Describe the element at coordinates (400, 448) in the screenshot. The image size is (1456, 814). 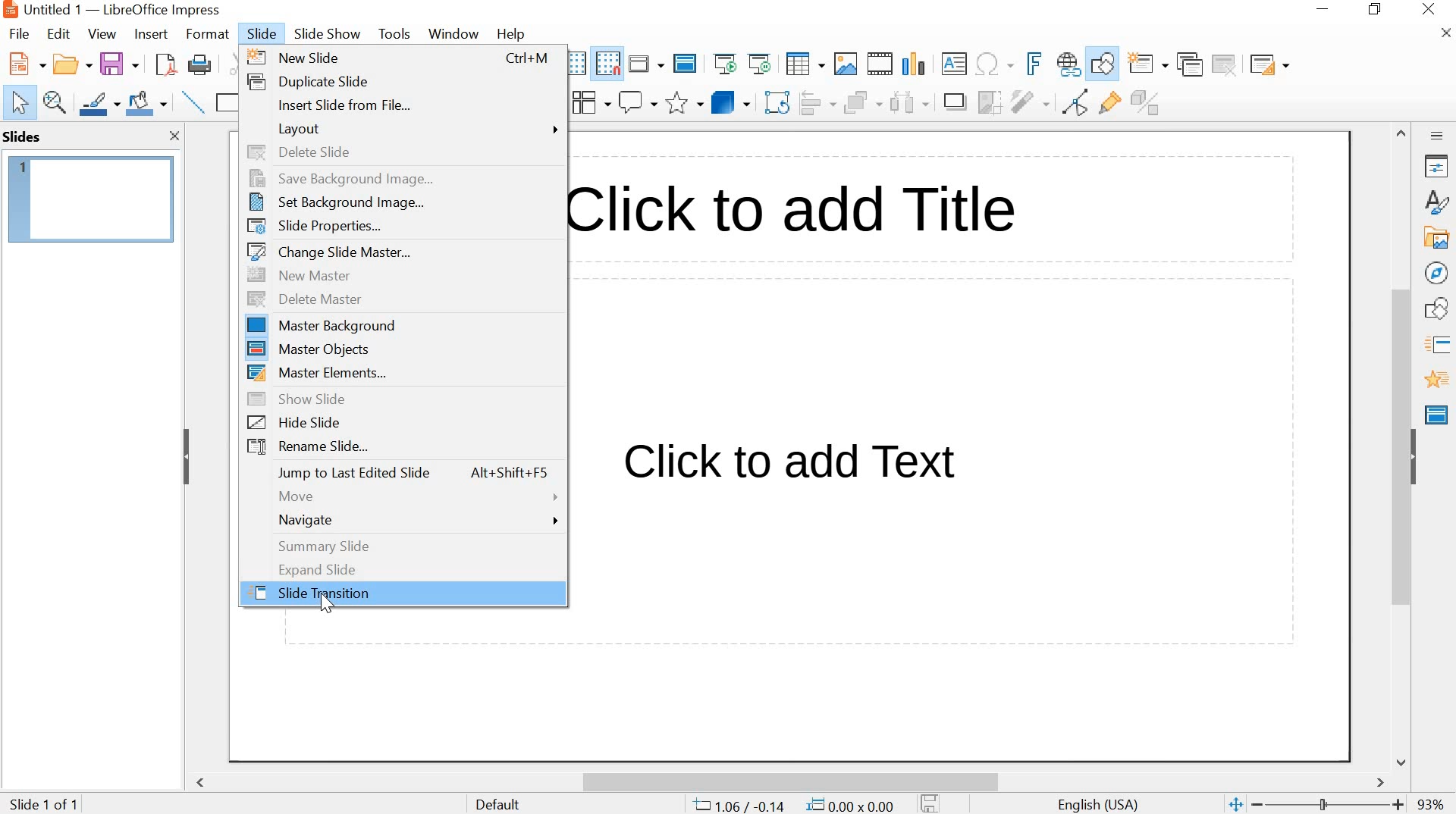
I see `RENAME SLIDE` at that location.